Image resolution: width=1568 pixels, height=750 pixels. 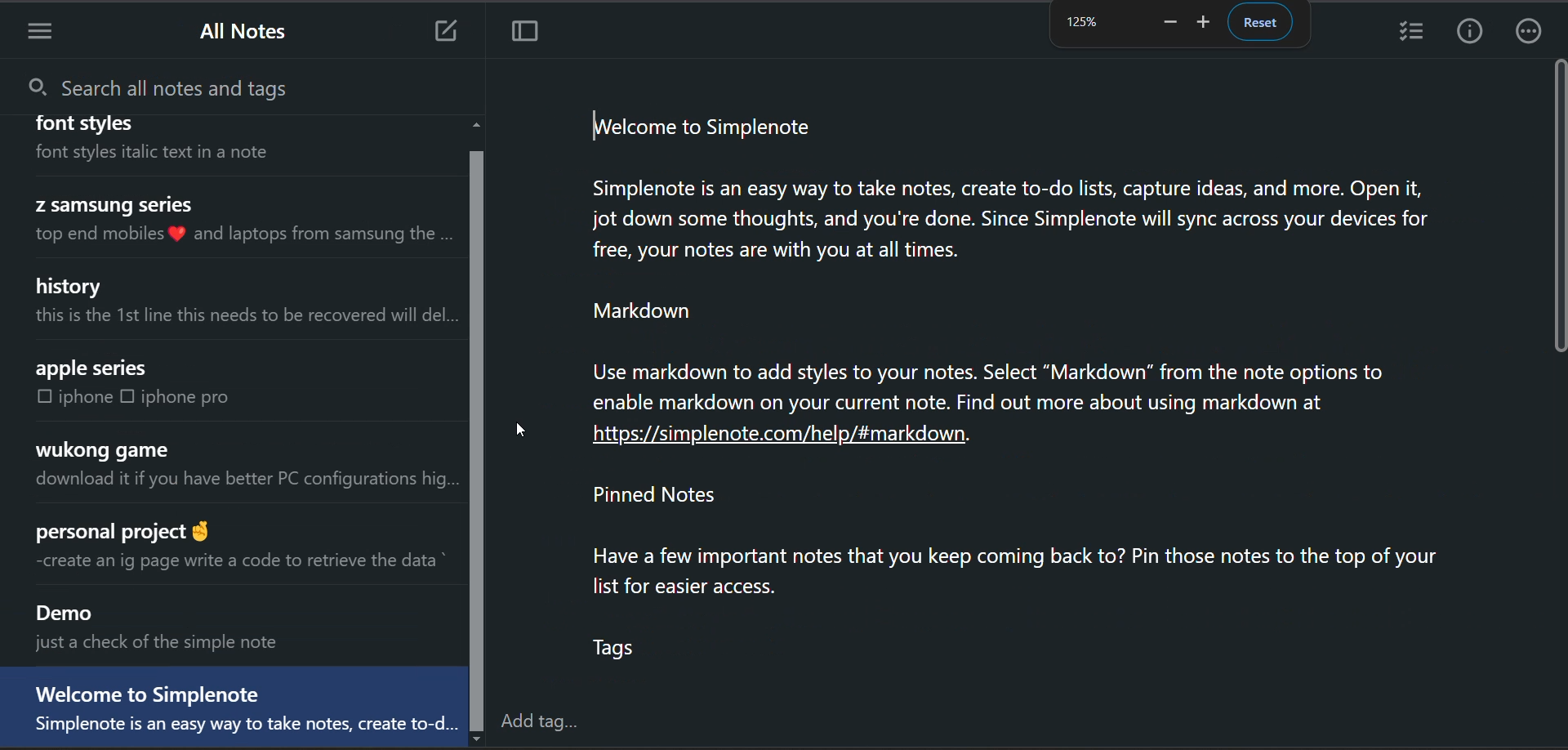 I want to click on checkbox, so click(x=129, y=397).